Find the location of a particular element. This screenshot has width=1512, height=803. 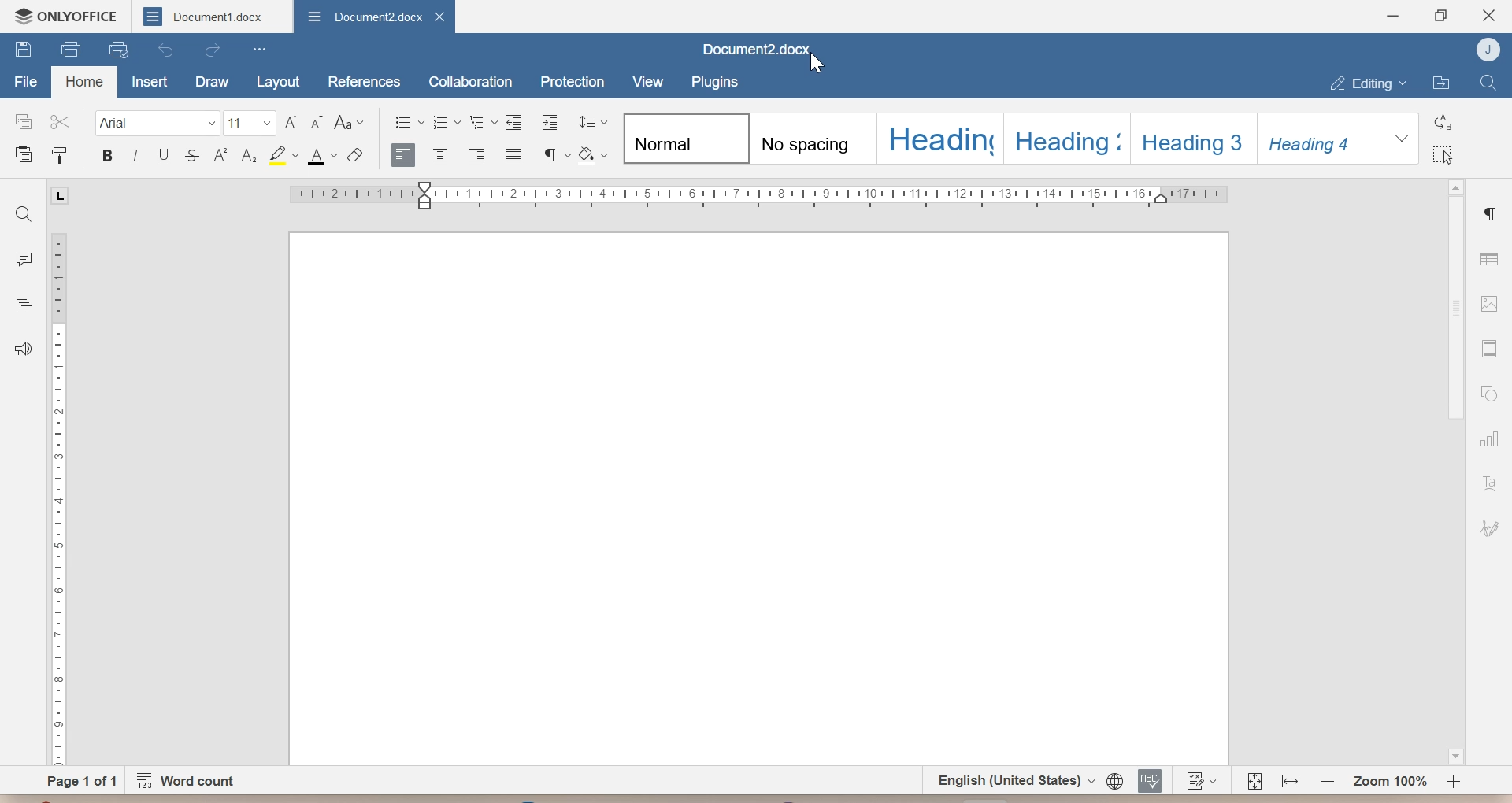

Replace is located at coordinates (1443, 121).